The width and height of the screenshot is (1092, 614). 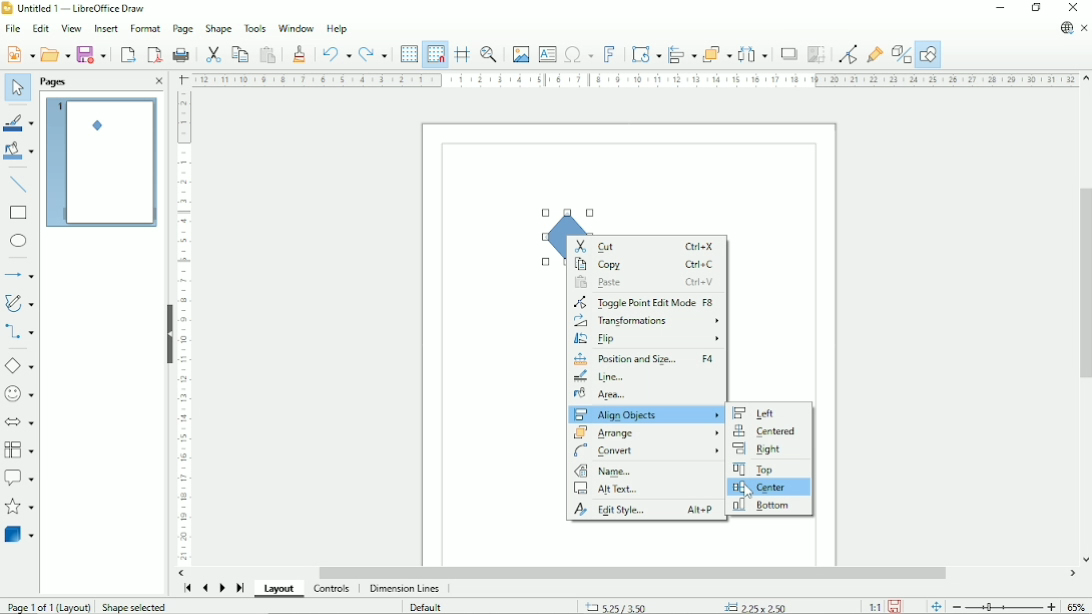 I want to click on Line, so click(x=648, y=376).